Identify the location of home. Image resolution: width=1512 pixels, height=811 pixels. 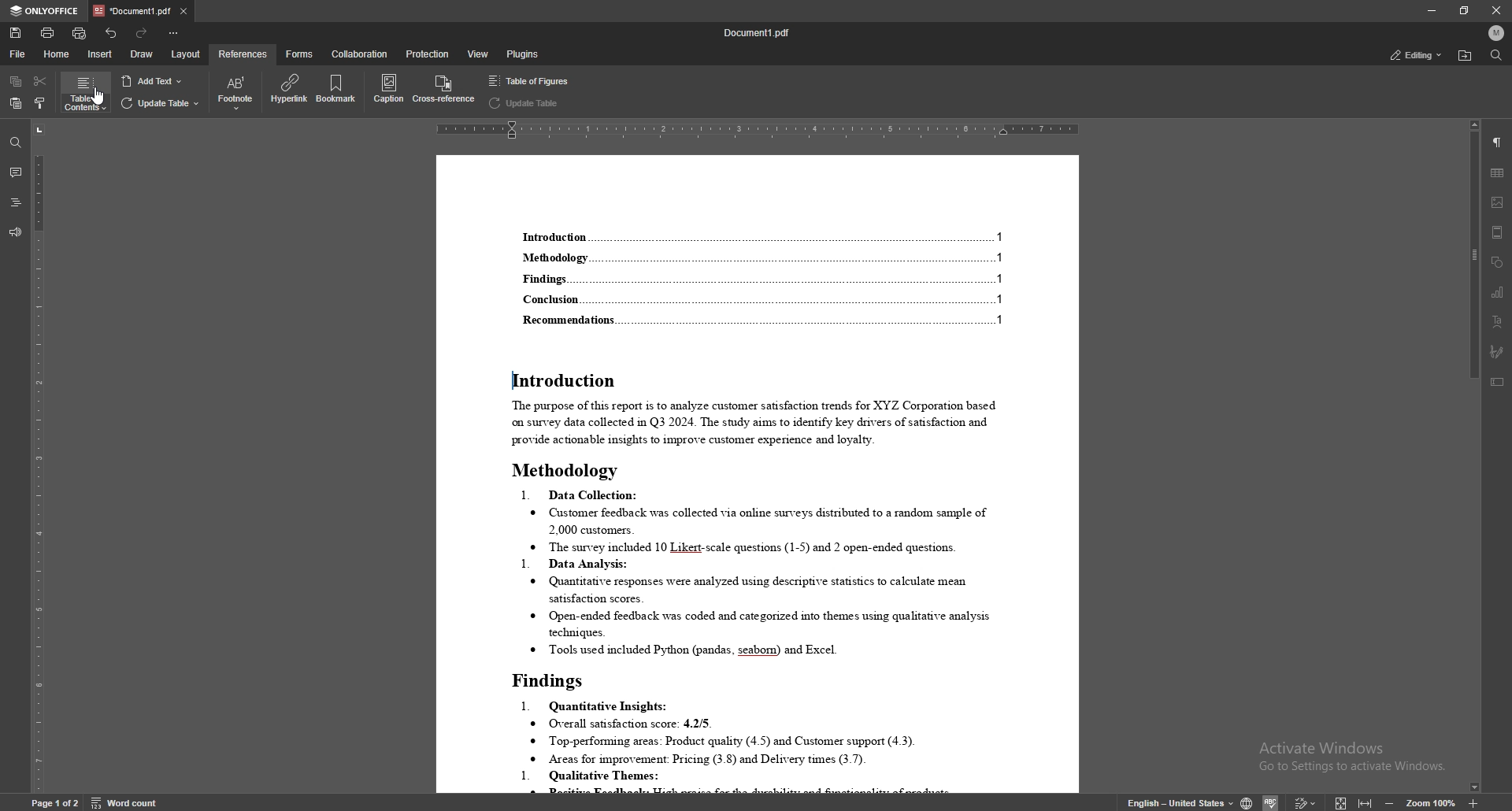
(56, 54).